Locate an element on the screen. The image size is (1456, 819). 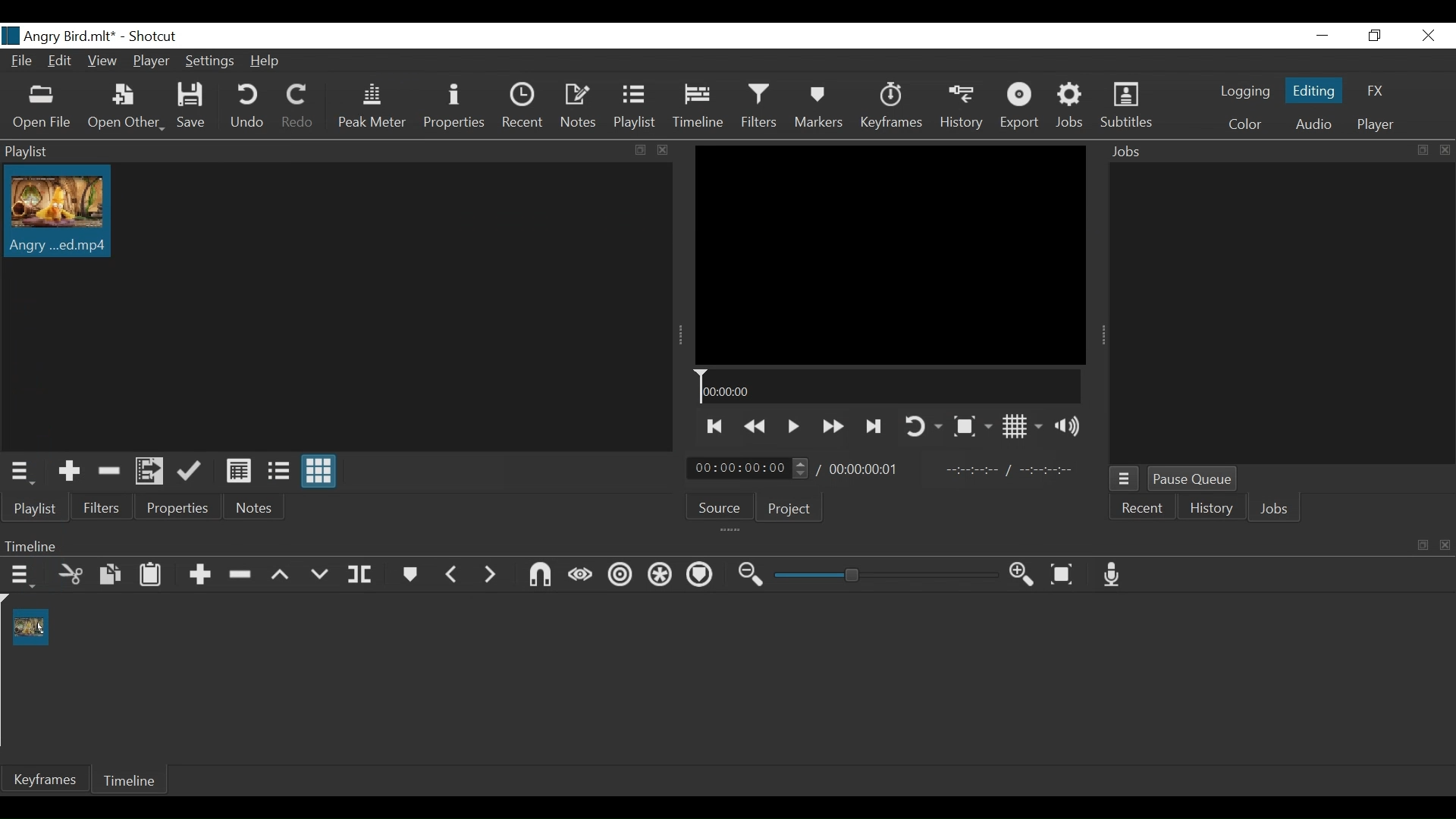
Total duration is located at coordinates (868, 469).